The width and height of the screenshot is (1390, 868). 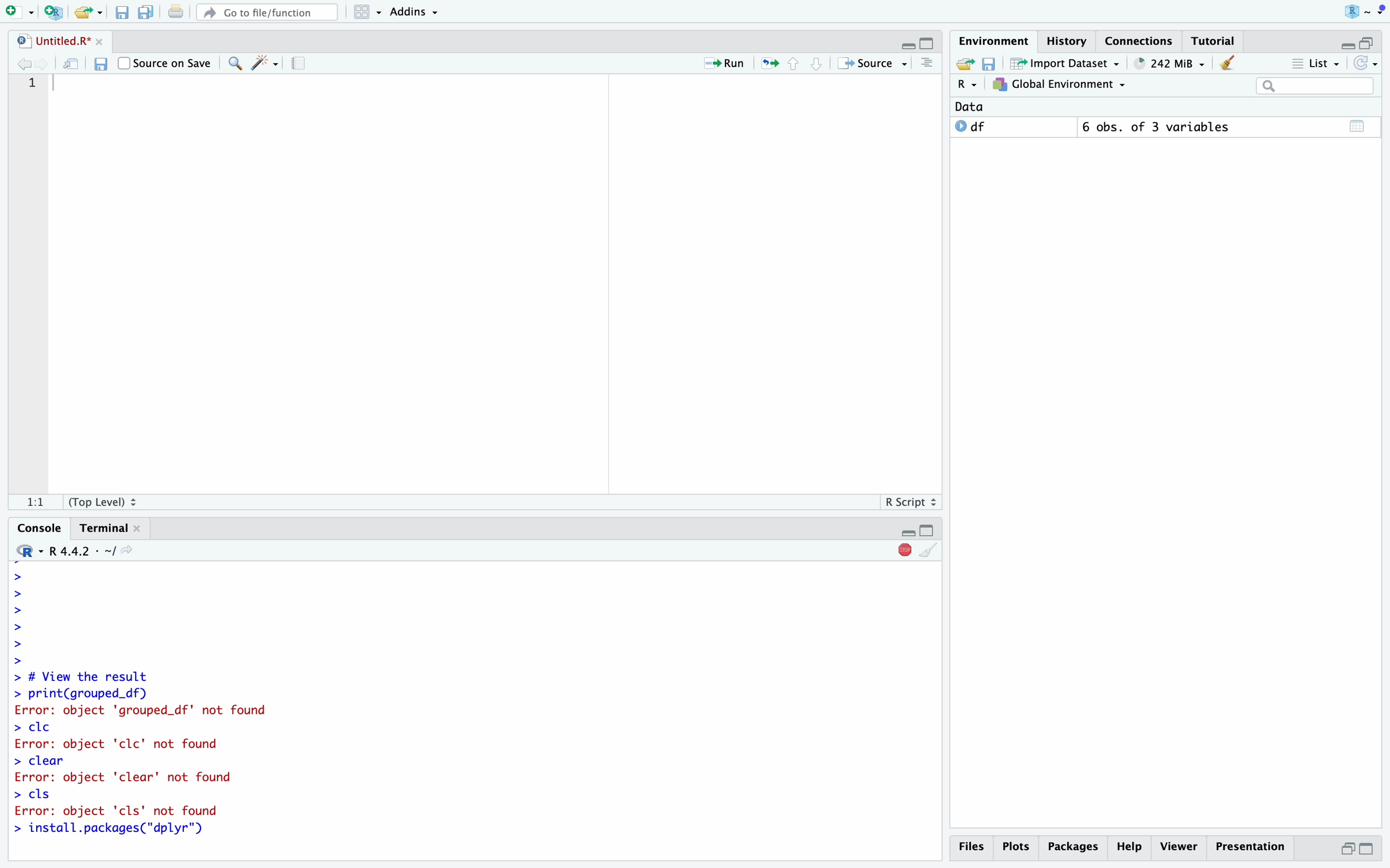 What do you see at coordinates (1365, 63) in the screenshot?
I see `Refresh list` at bounding box center [1365, 63].